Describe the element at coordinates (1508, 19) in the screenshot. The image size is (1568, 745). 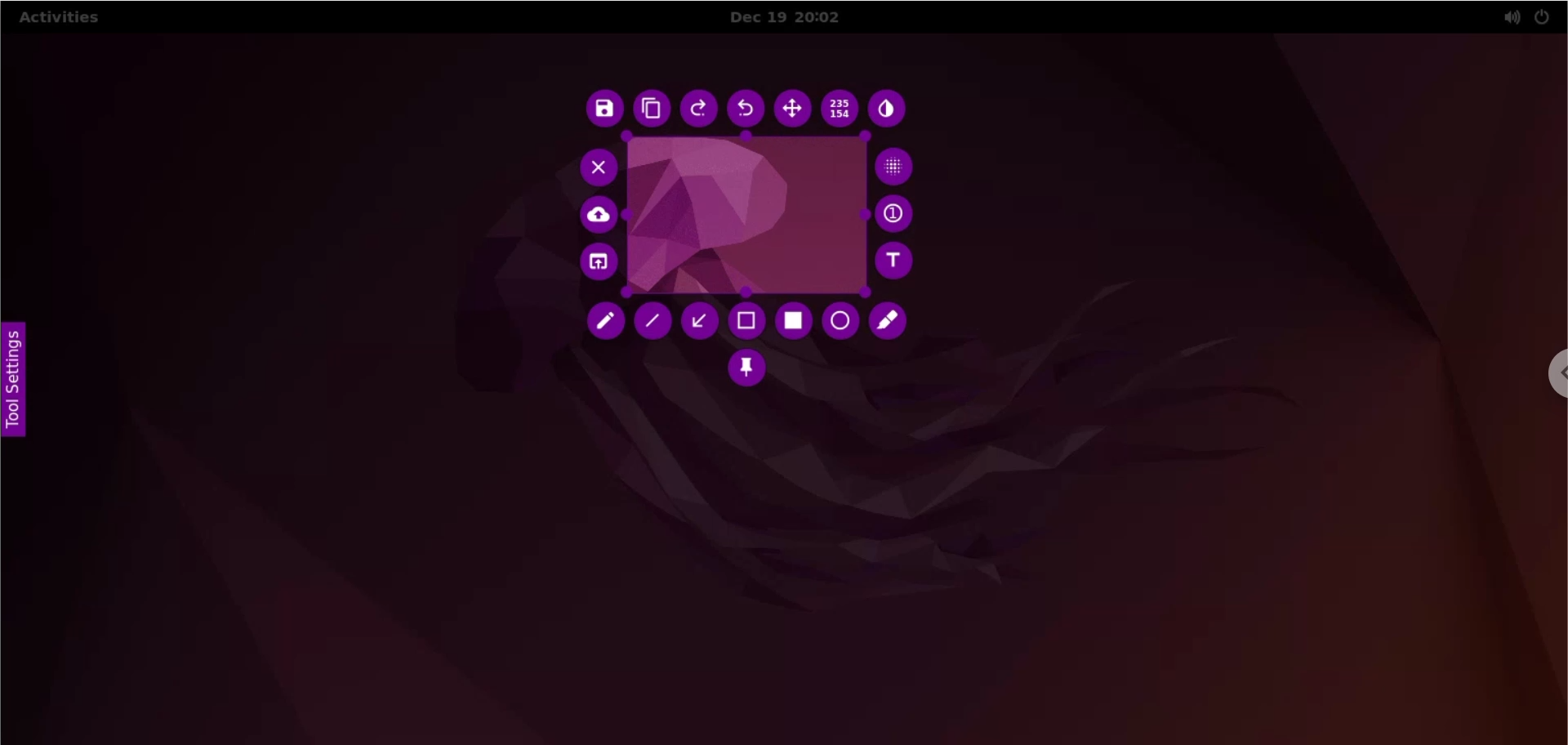
I see `sound settings options` at that location.